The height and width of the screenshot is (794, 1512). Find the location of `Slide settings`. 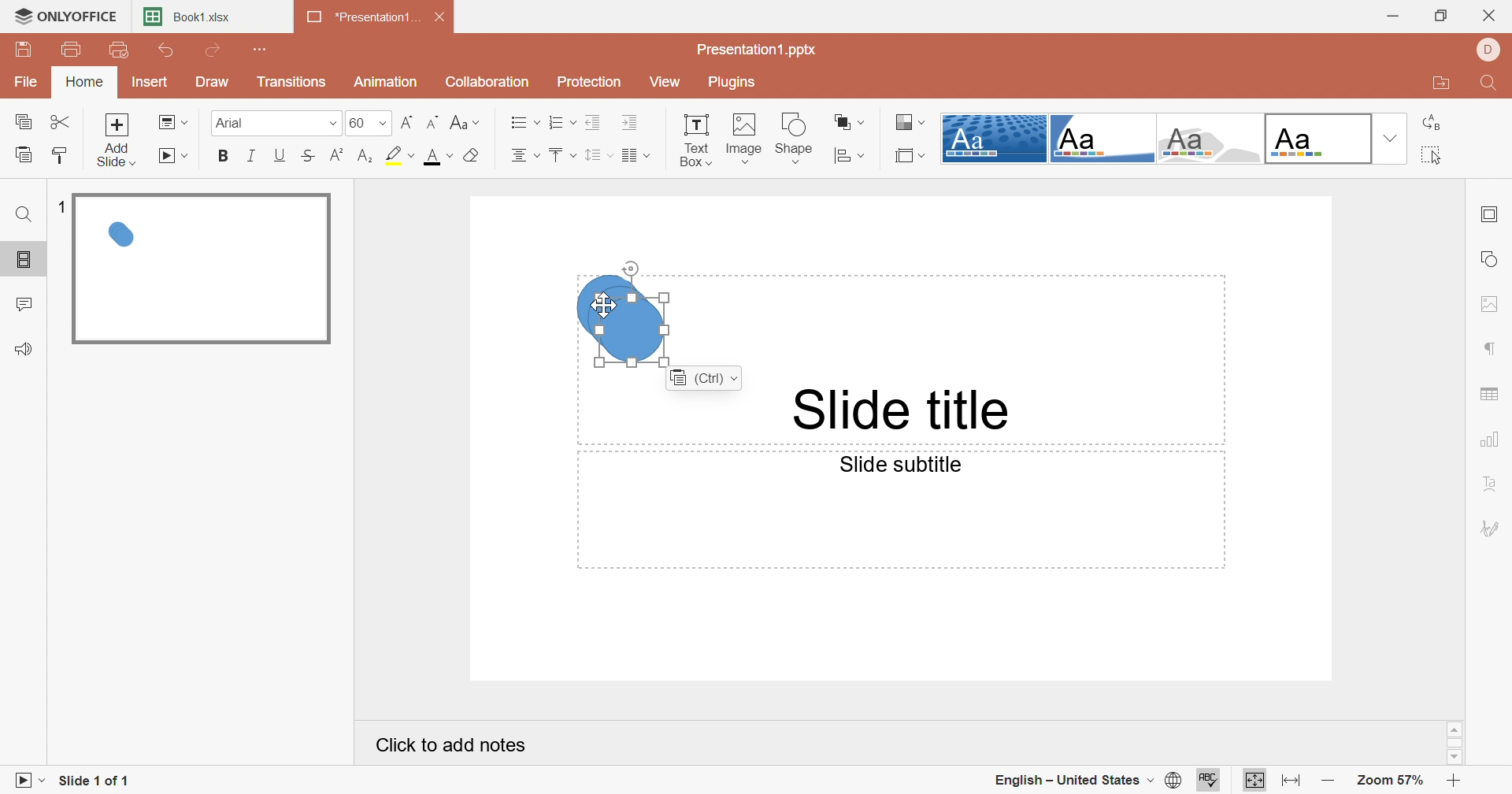

Slide settings is located at coordinates (1488, 216).